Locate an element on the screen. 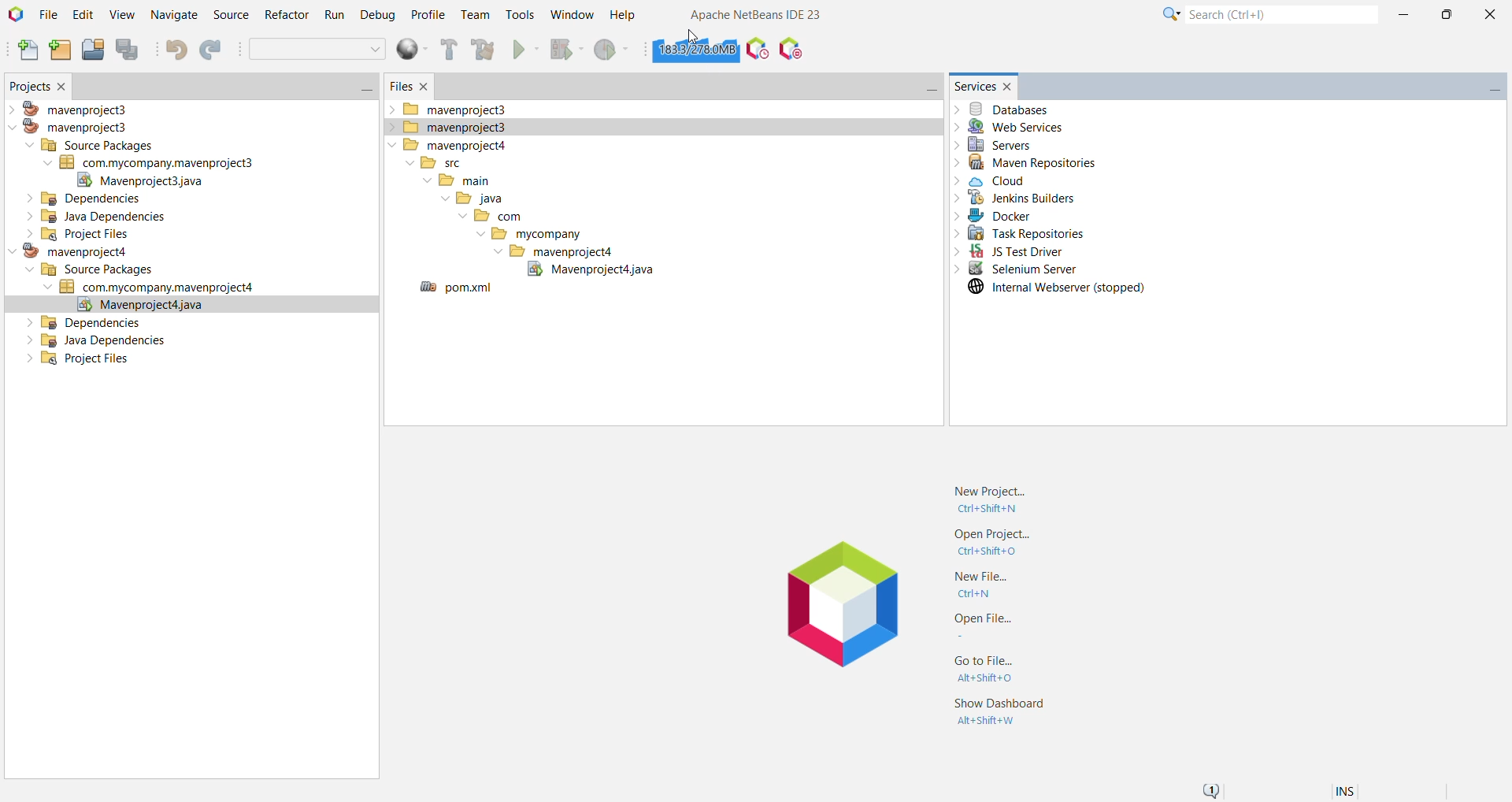 This screenshot has width=1512, height=802. Show Dashboard is located at coordinates (999, 713).